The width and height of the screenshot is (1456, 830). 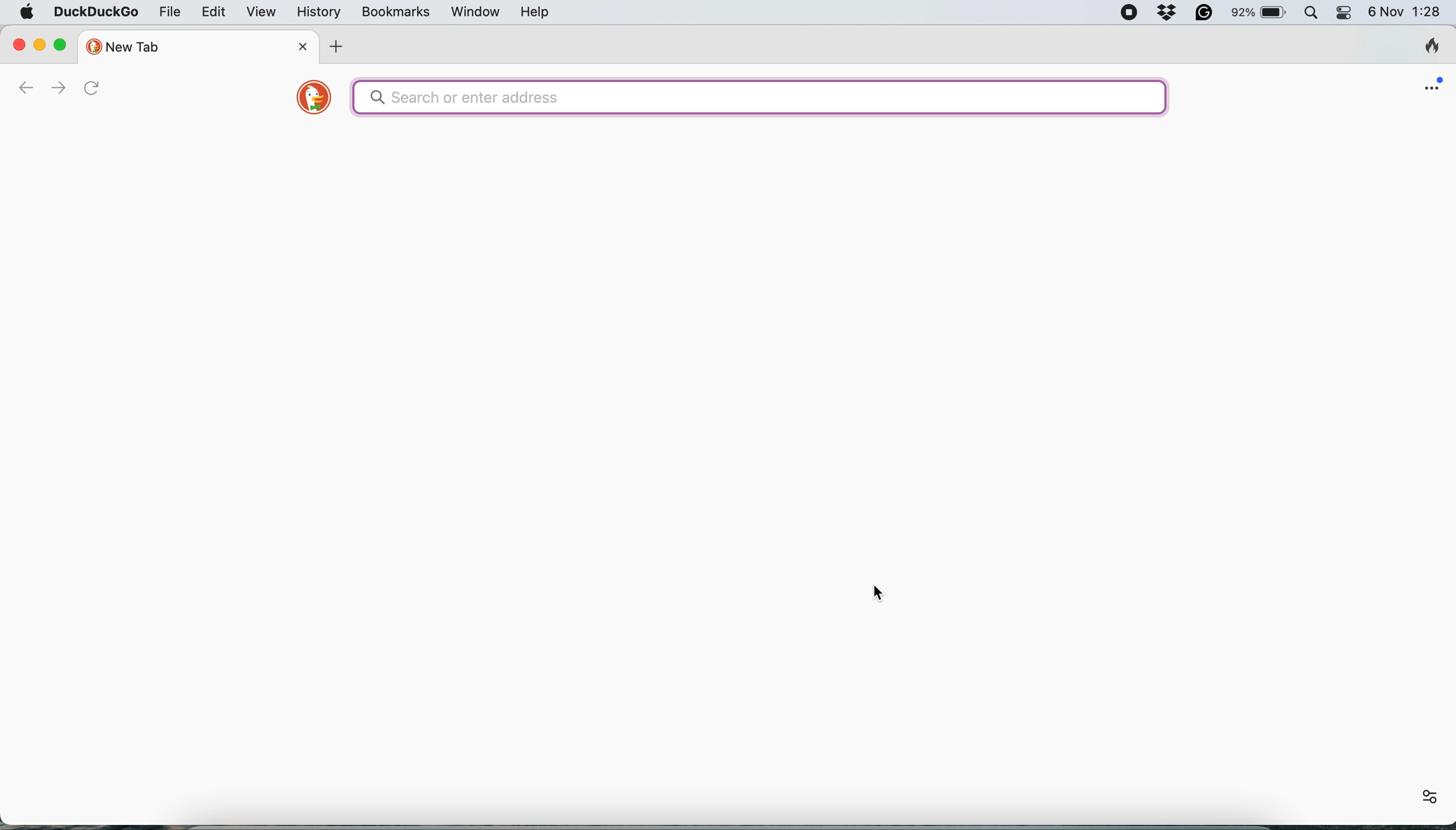 I want to click on close, so click(x=306, y=46).